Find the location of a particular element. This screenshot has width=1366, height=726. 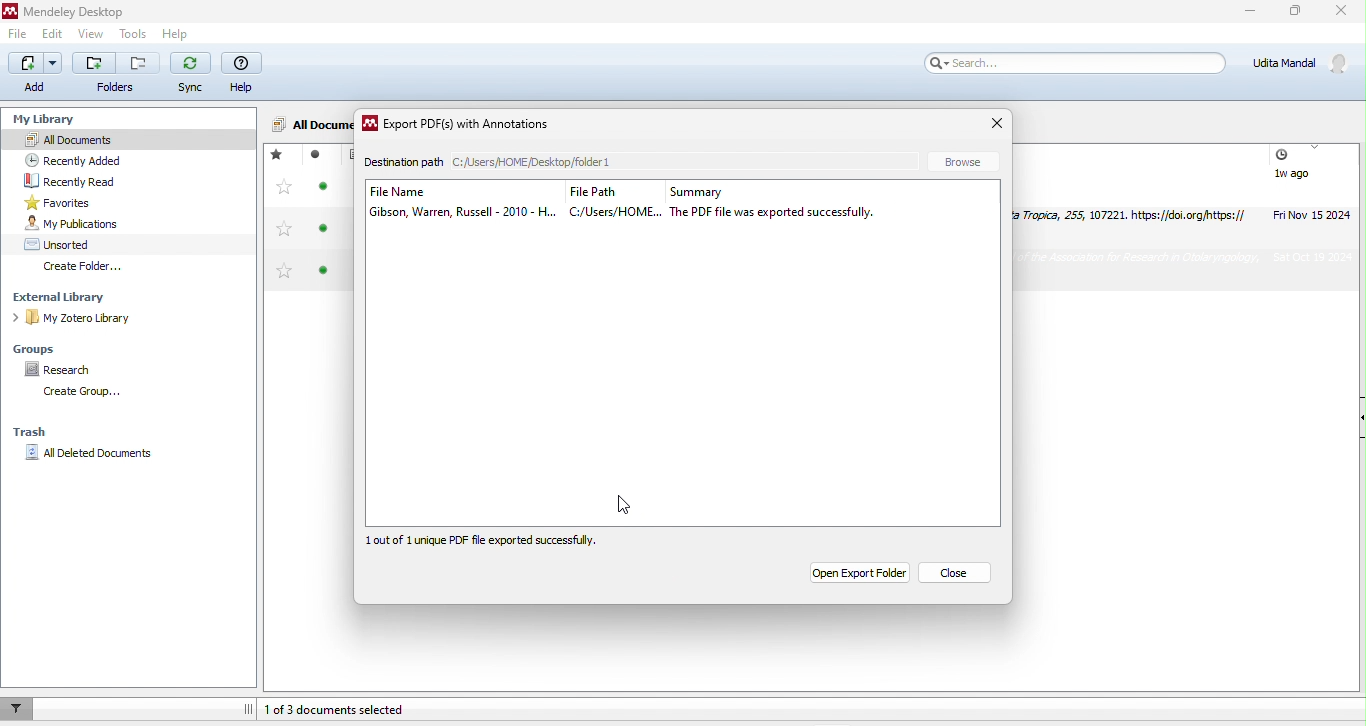

recently added is located at coordinates (86, 158).